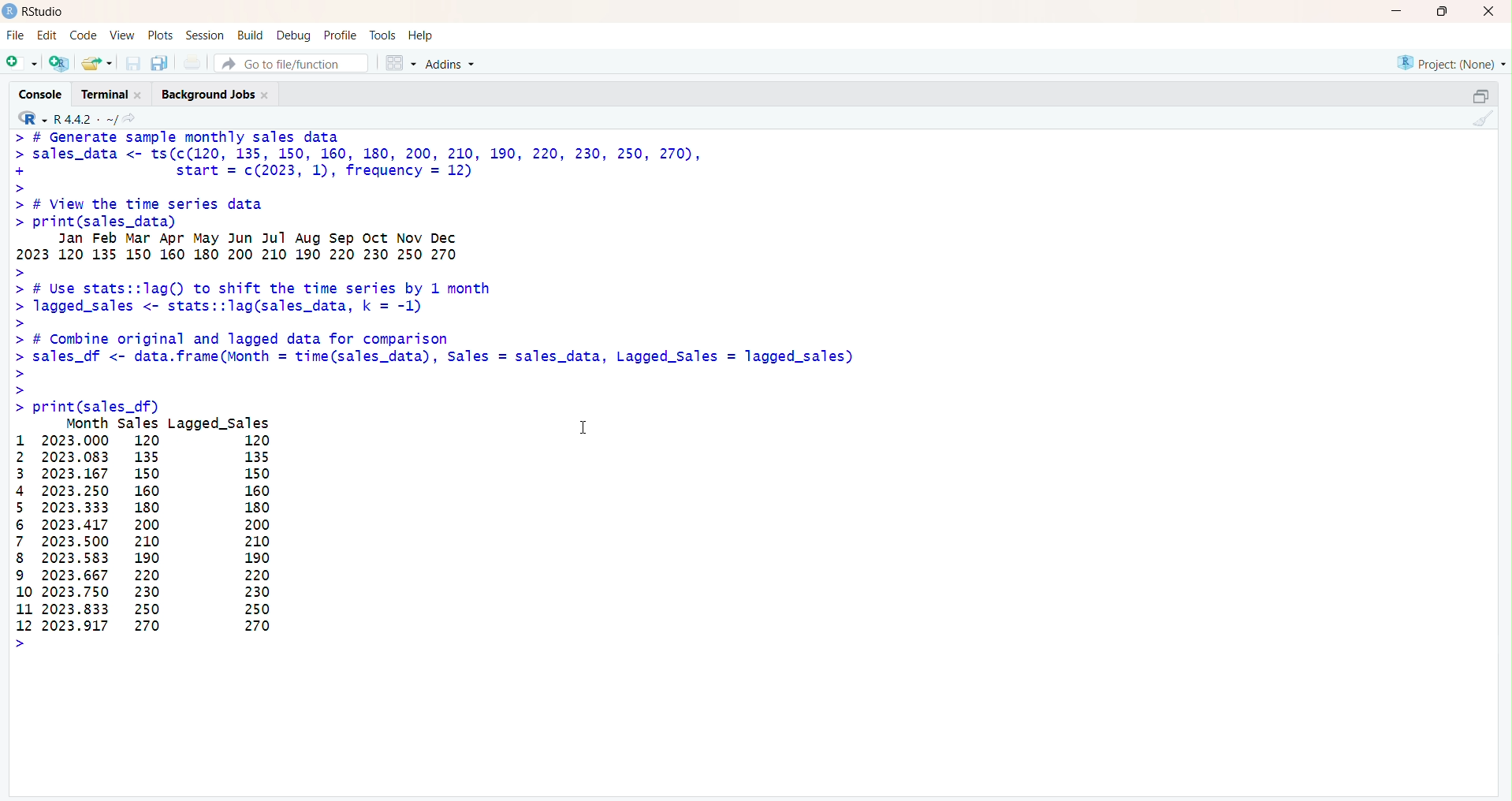 This screenshot has height=801, width=1512. What do you see at coordinates (1482, 120) in the screenshot?
I see `clear console` at bounding box center [1482, 120].